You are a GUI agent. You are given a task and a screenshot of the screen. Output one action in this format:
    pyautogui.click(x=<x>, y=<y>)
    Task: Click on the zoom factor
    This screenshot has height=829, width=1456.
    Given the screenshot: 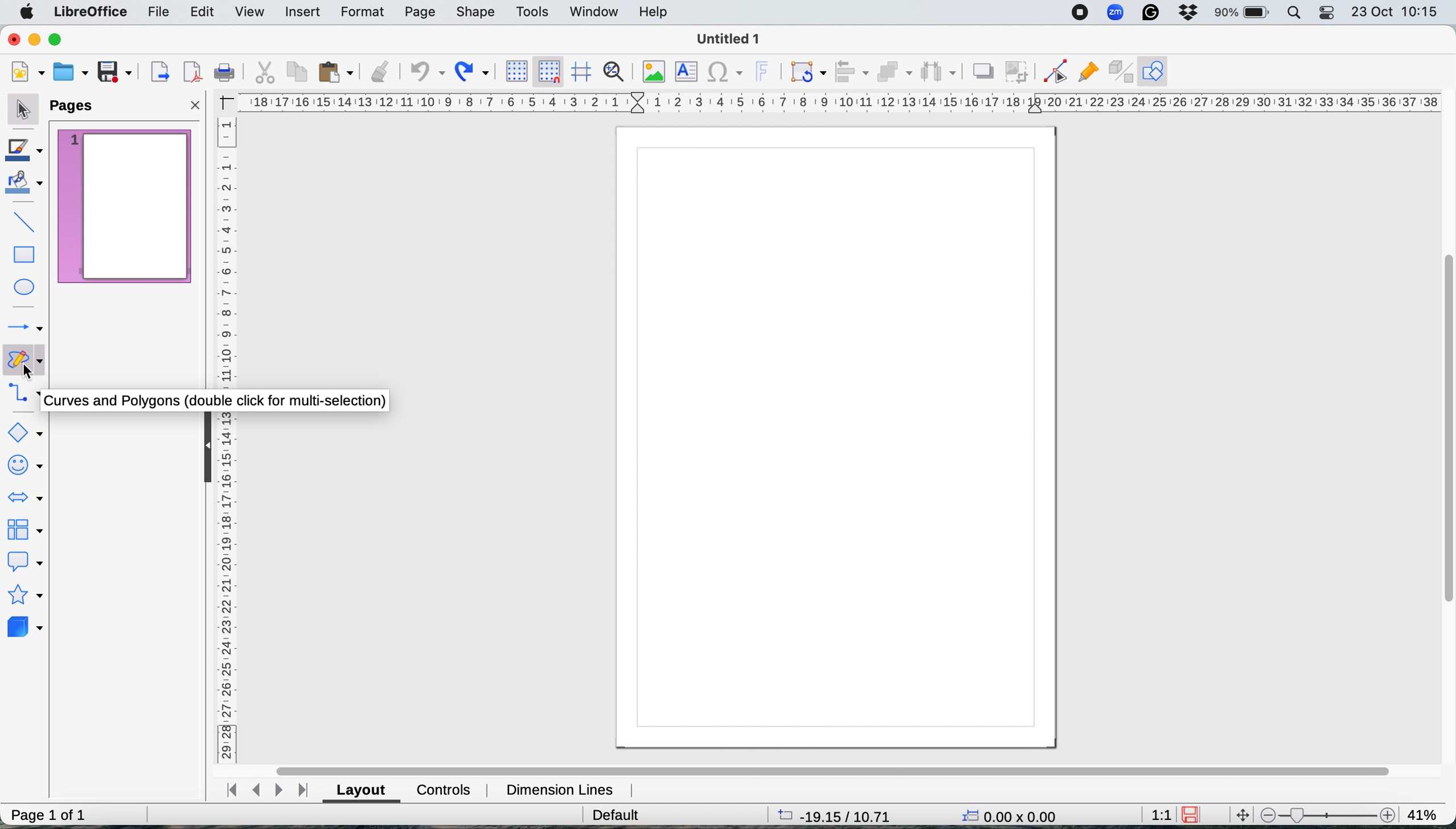 What is the action you would take?
    pyautogui.click(x=1427, y=812)
    